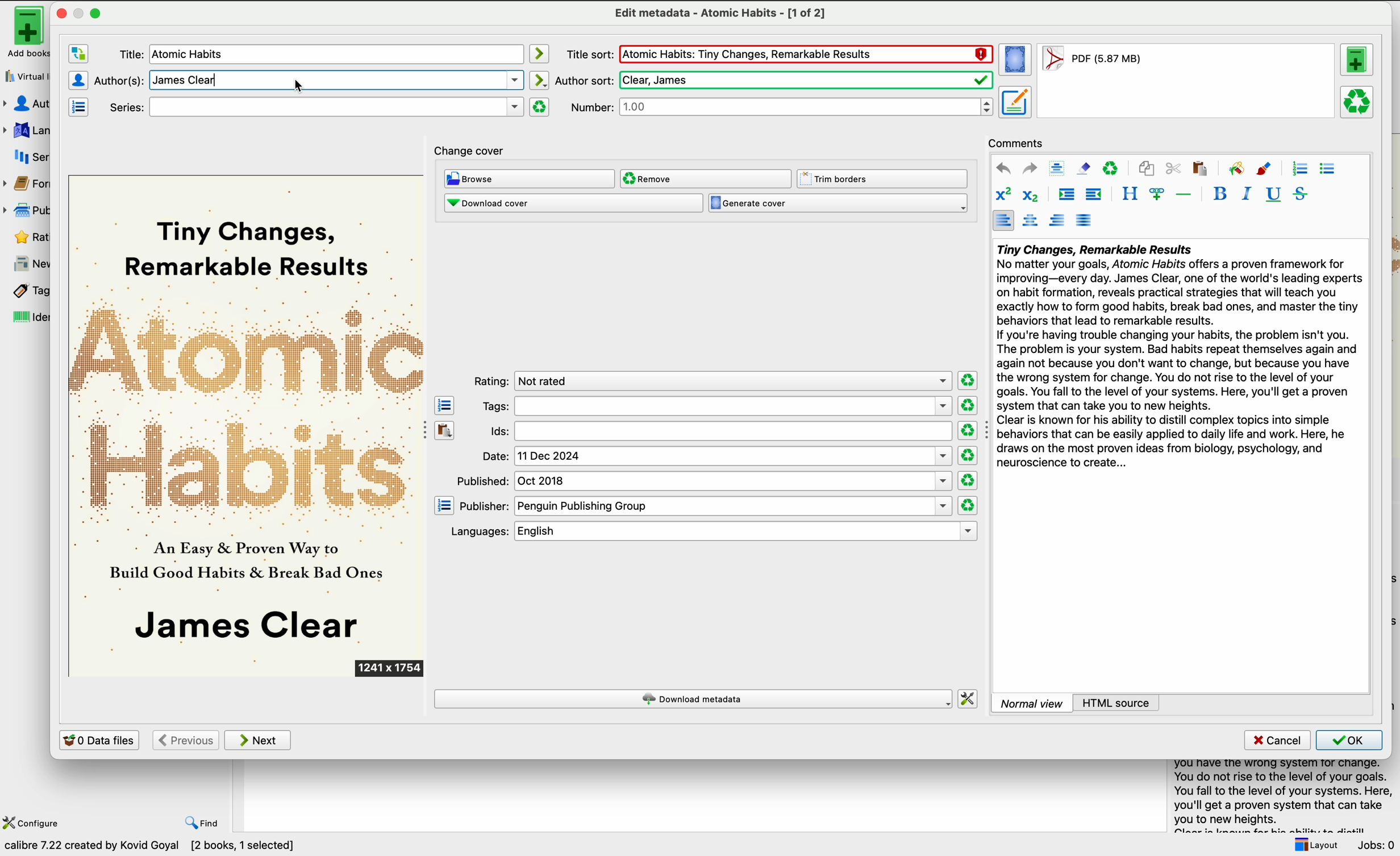 The height and width of the screenshot is (856, 1400). Describe the element at coordinates (1015, 103) in the screenshot. I see `set metadata for the book from the selected format` at that location.